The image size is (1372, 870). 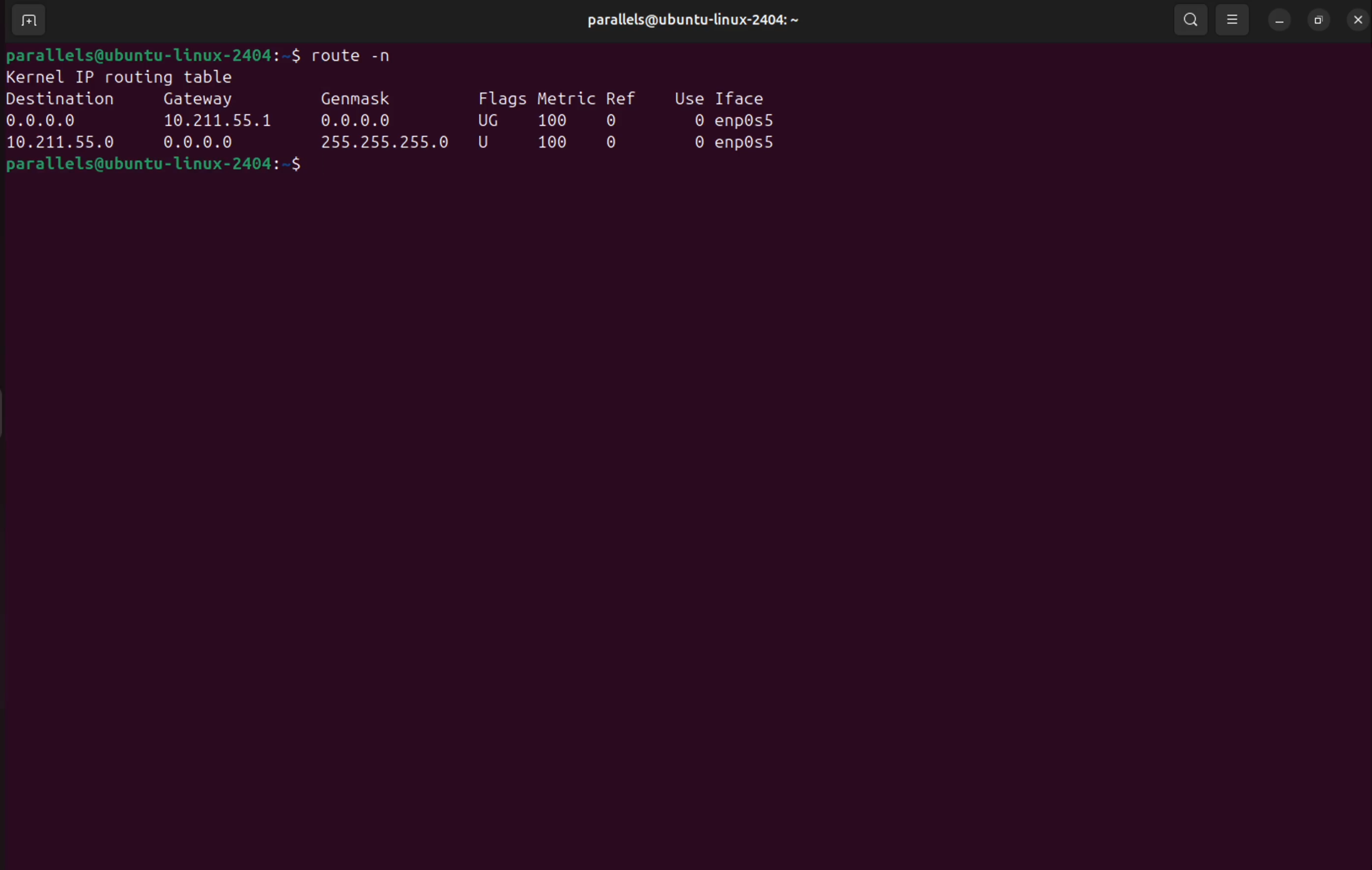 What do you see at coordinates (585, 145) in the screenshot?
I see `100 0` at bounding box center [585, 145].